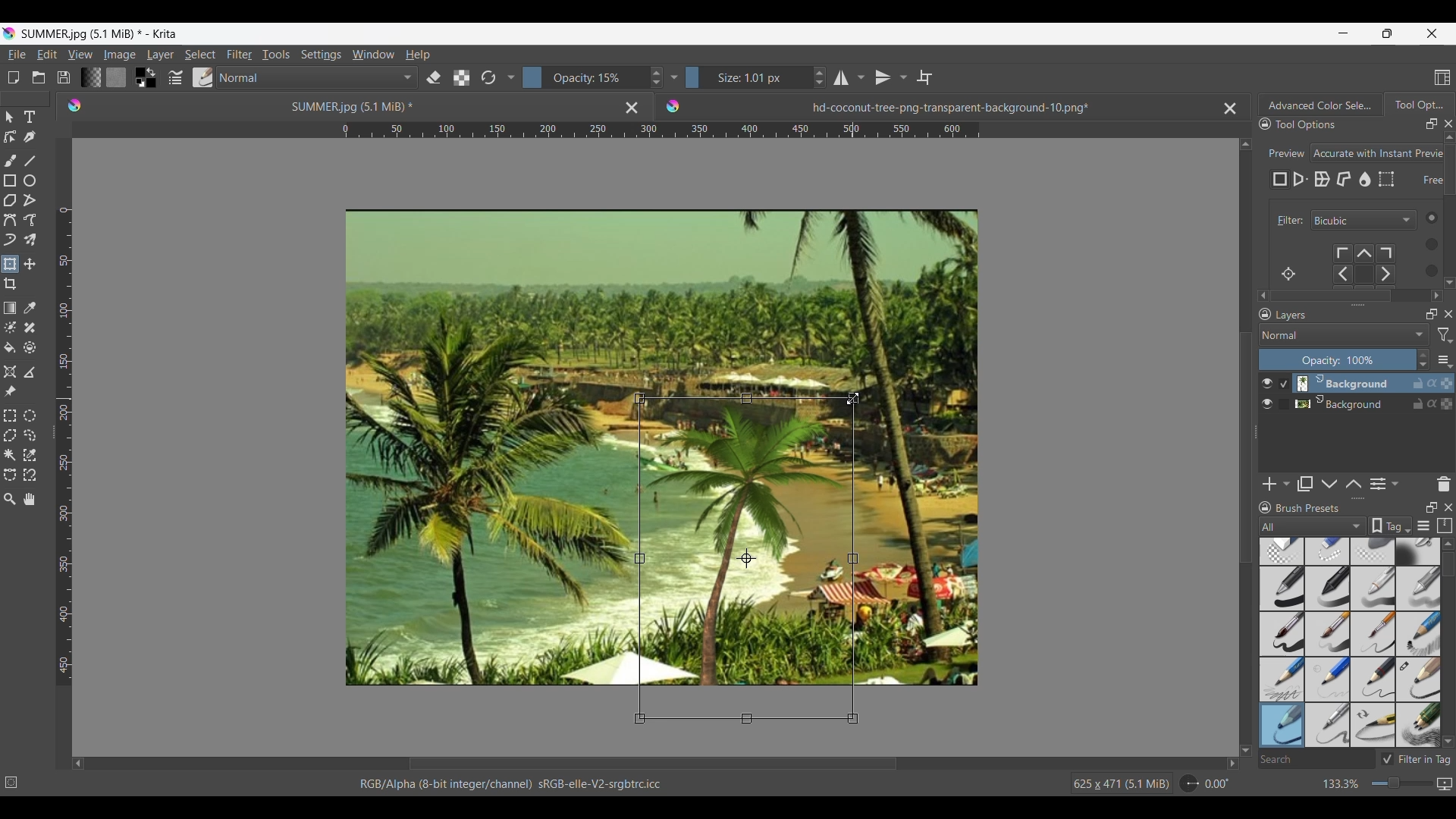 The width and height of the screenshot is (1456, 819). I want to click on Text tool, so click(29, 118).